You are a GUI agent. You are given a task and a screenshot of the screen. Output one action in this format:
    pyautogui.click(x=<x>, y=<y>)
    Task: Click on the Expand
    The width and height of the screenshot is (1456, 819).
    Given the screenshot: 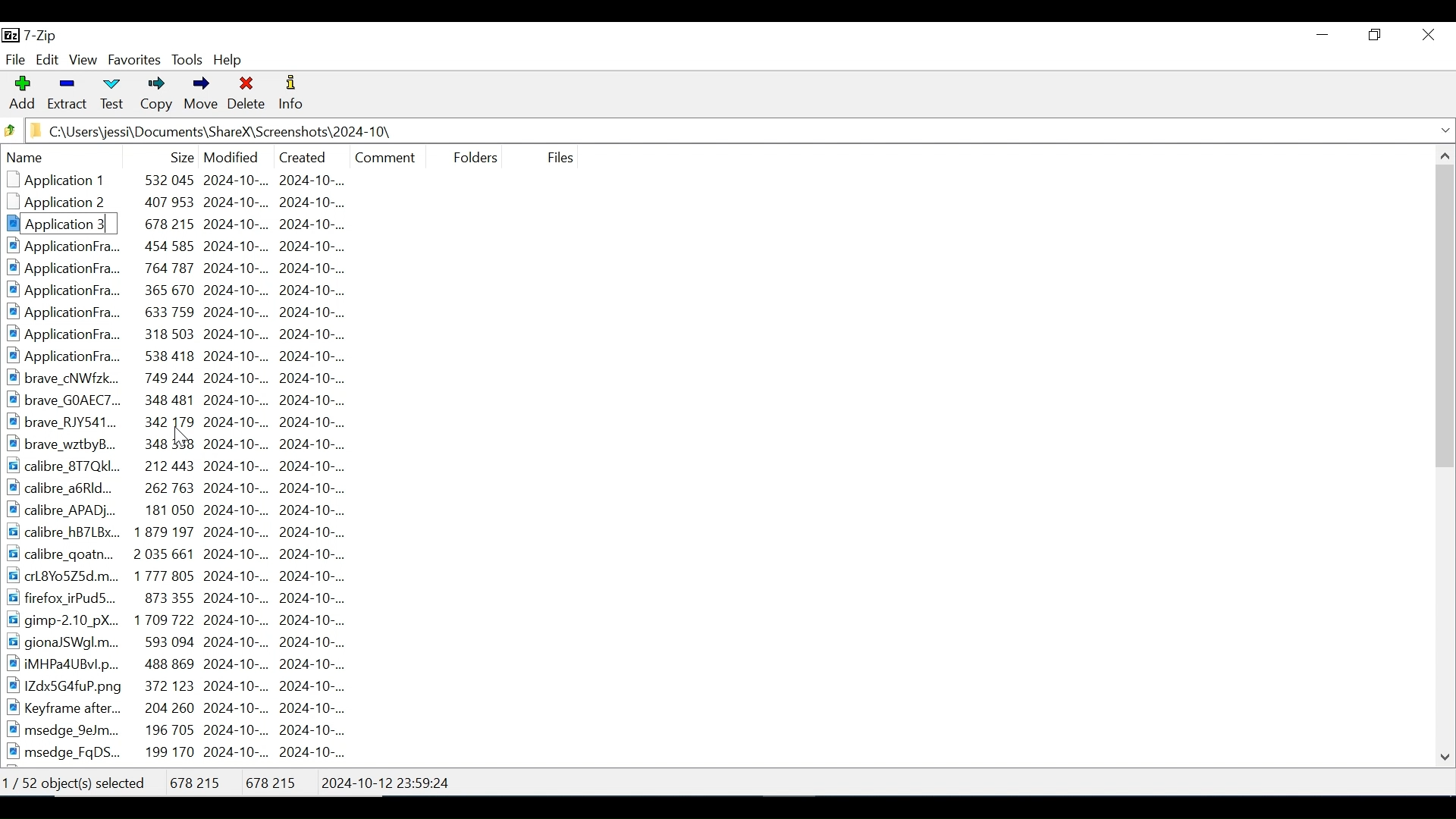 What is the action you would take?
    pyautogui.click(x=1444, y=130)
    